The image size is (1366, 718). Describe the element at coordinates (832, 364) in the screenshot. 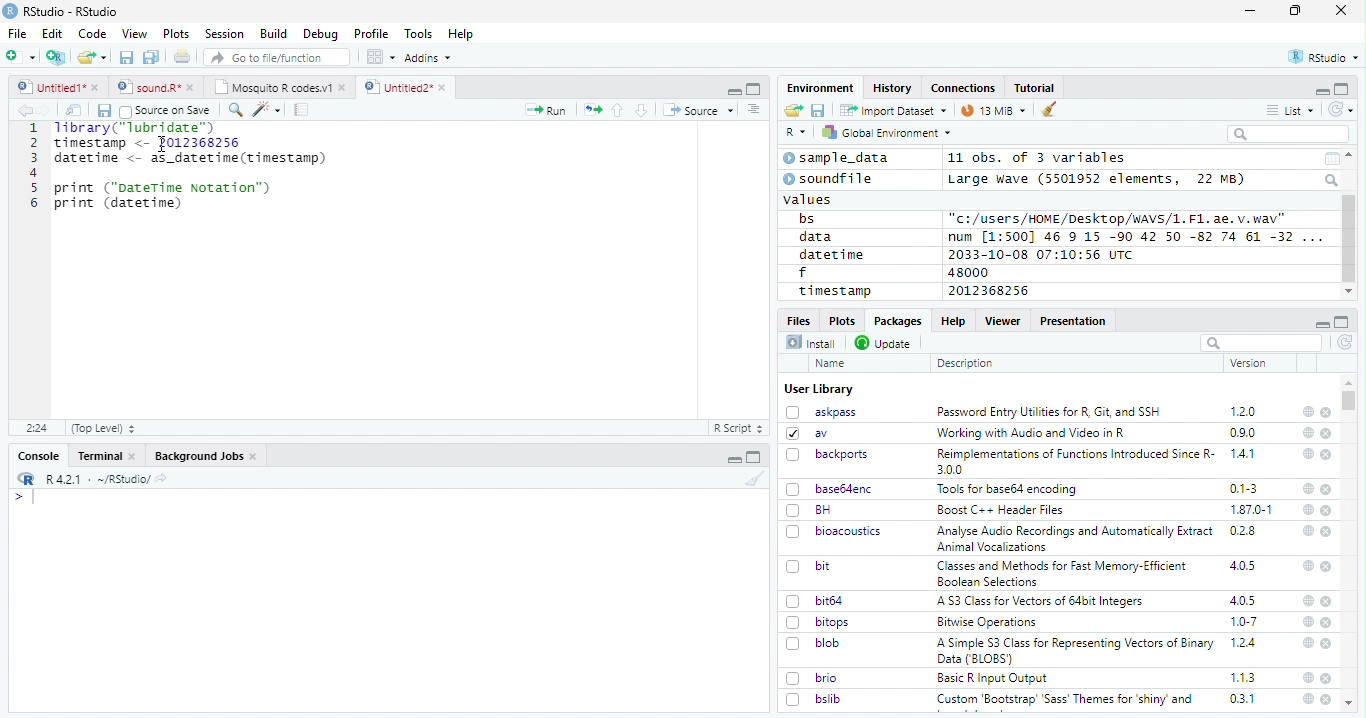

I see `Name` at that location.